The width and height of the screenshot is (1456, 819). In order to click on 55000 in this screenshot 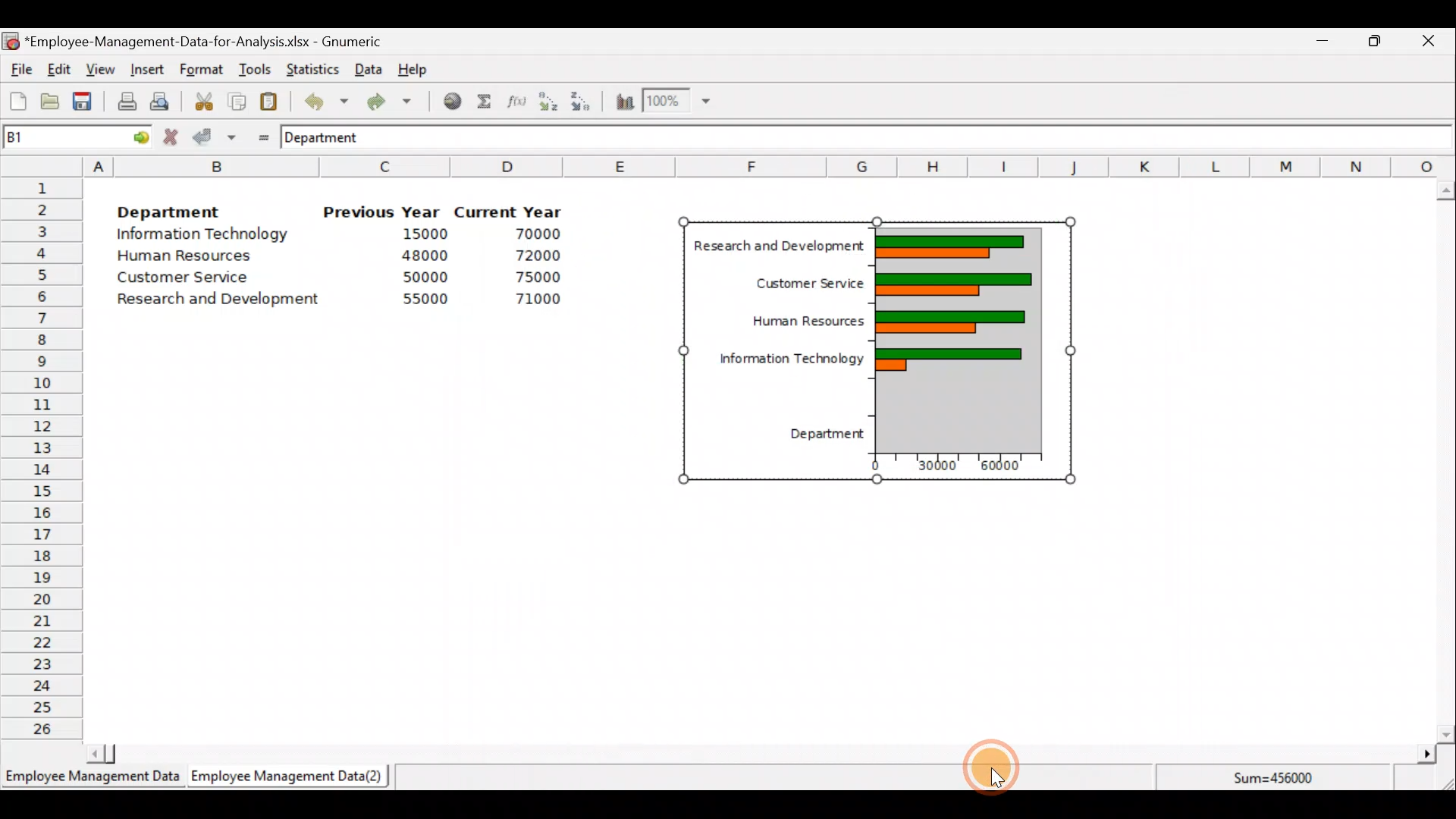, I will do `click(426, 299)`.